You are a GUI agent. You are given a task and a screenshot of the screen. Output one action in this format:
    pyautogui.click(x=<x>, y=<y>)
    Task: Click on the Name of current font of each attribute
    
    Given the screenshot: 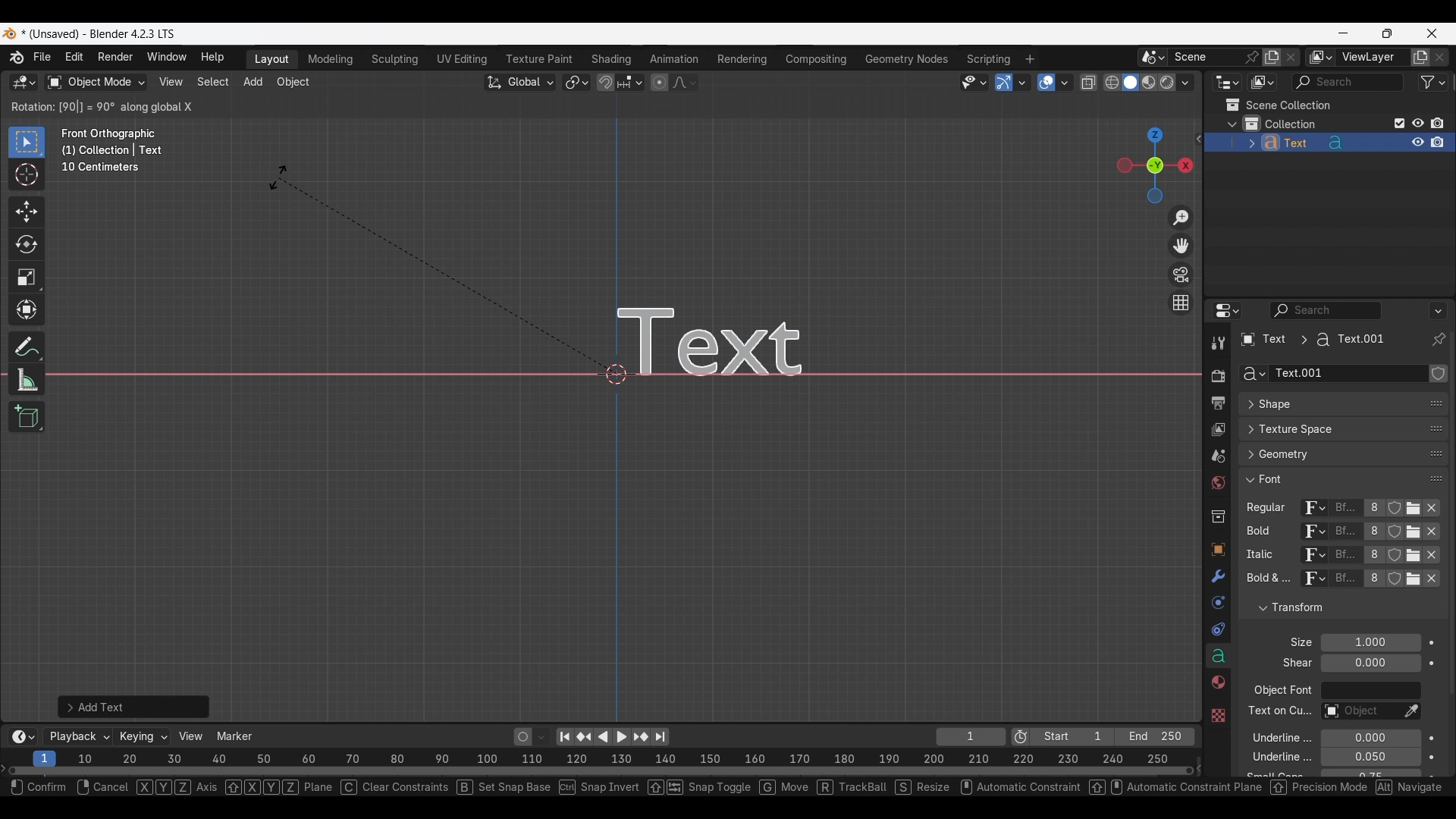 What is the action you would take?
    pyautogui.click(x=1346, y=544)
    